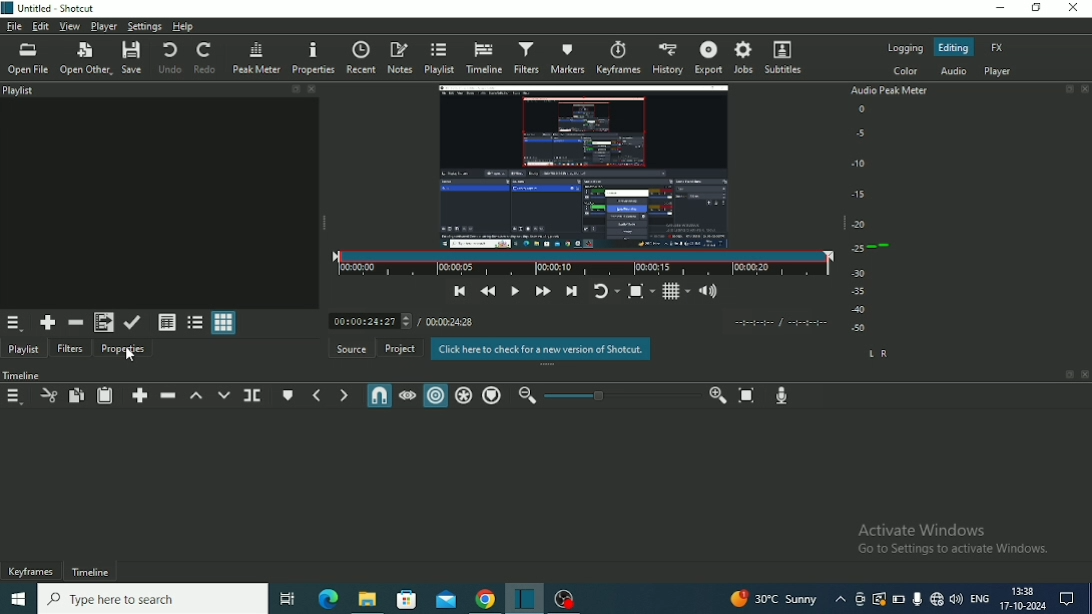  What do you see at coordinates (49, 8) in the screenshot?
I see `Title` at bounding box center [49, 8].